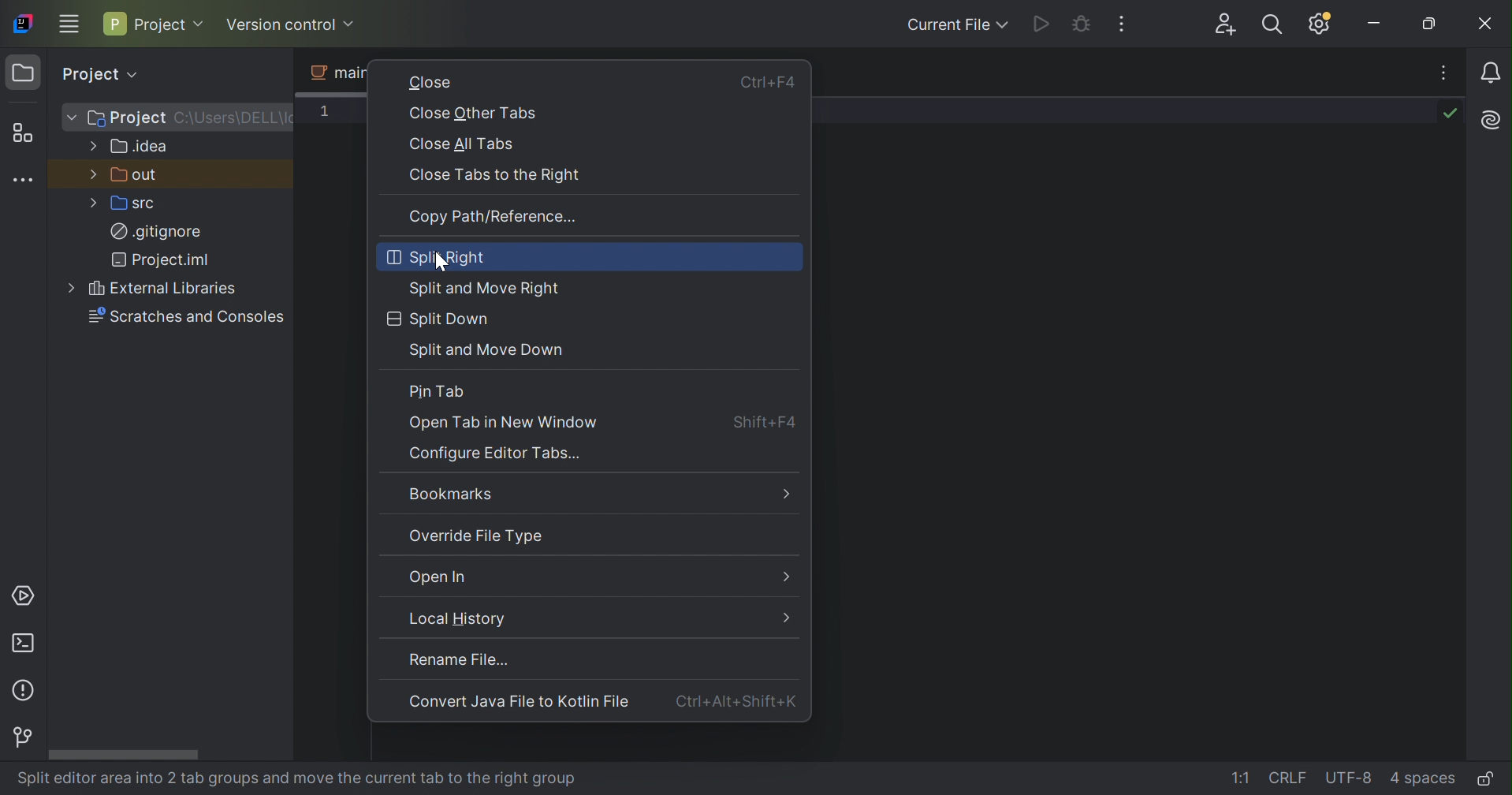 The width and height of the screenshot is (1512, 795). I want to click on C:\Users\DELL\, so click(233, 118).